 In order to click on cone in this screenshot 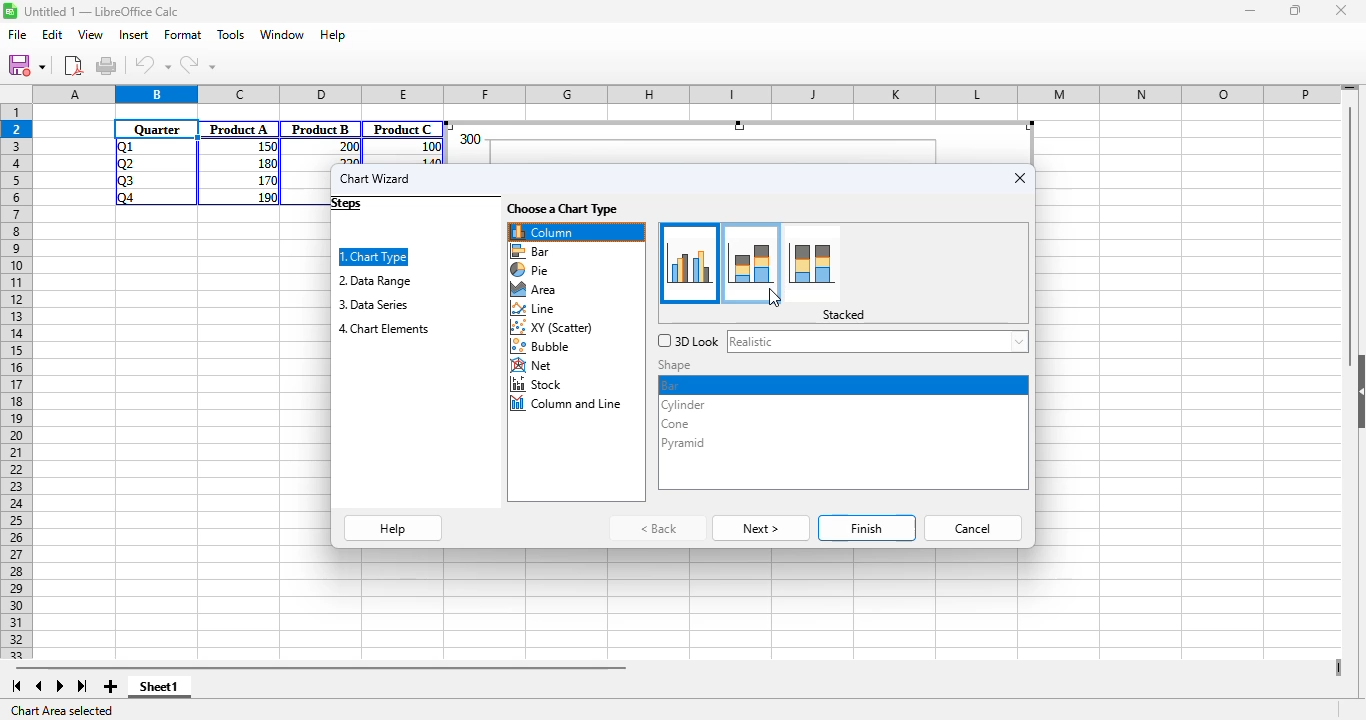, I will do `click(674, 425)`.